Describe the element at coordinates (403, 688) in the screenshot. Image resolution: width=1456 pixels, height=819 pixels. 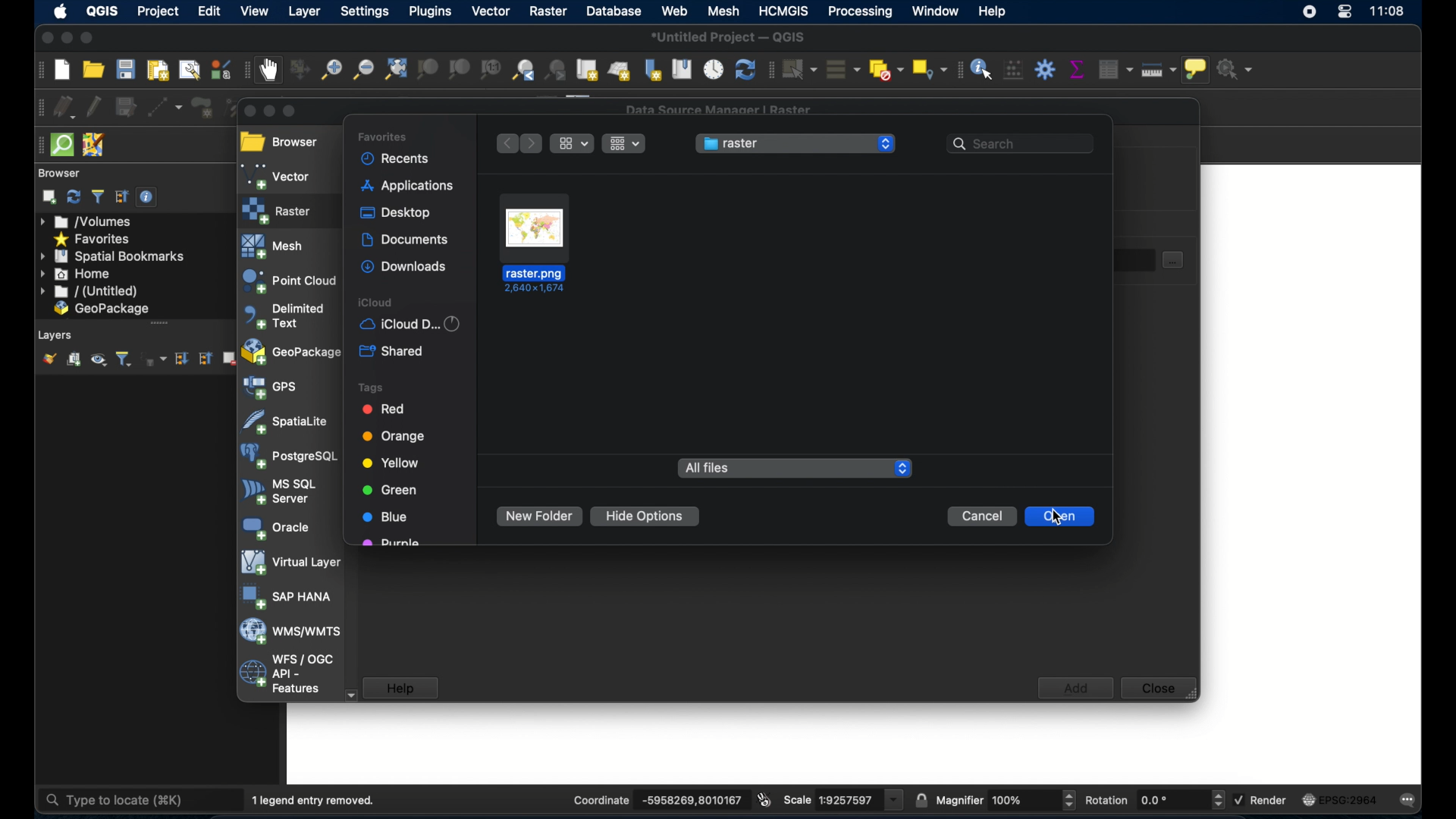
I see `help` at that location.